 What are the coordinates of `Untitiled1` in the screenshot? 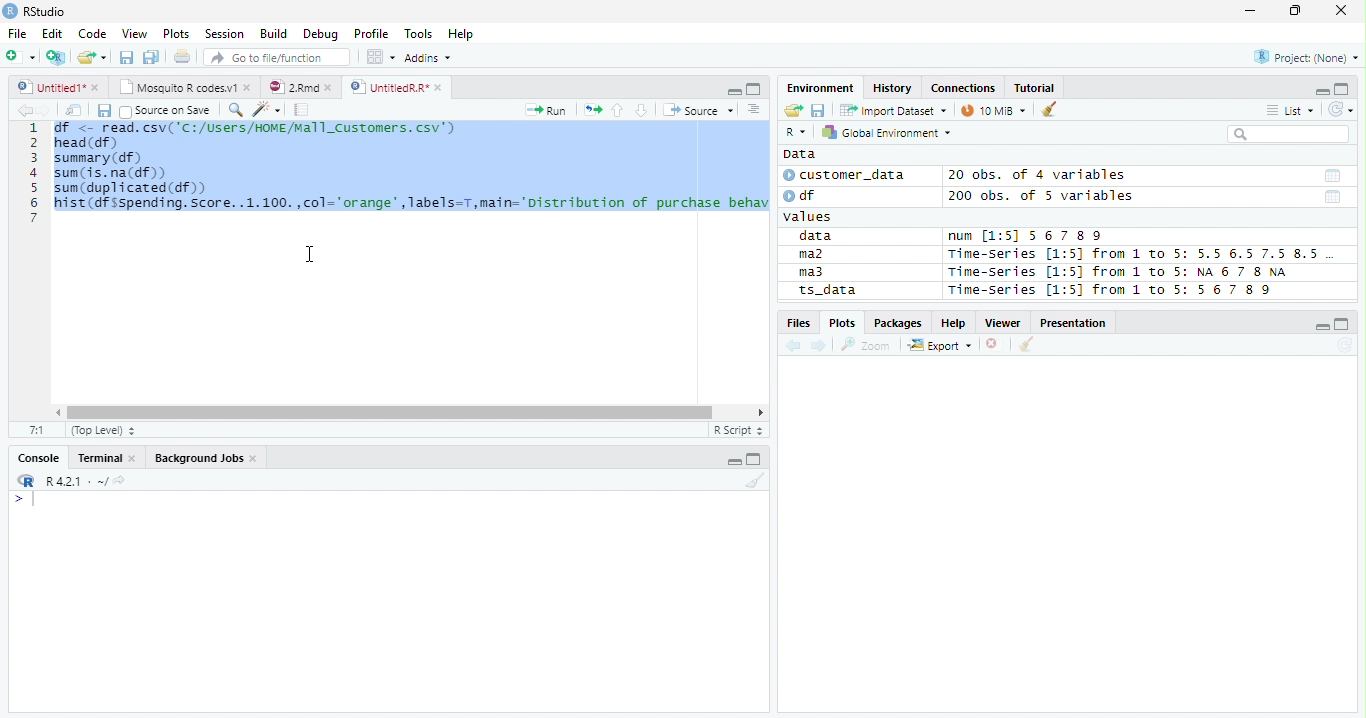 It's located at (57, 87).